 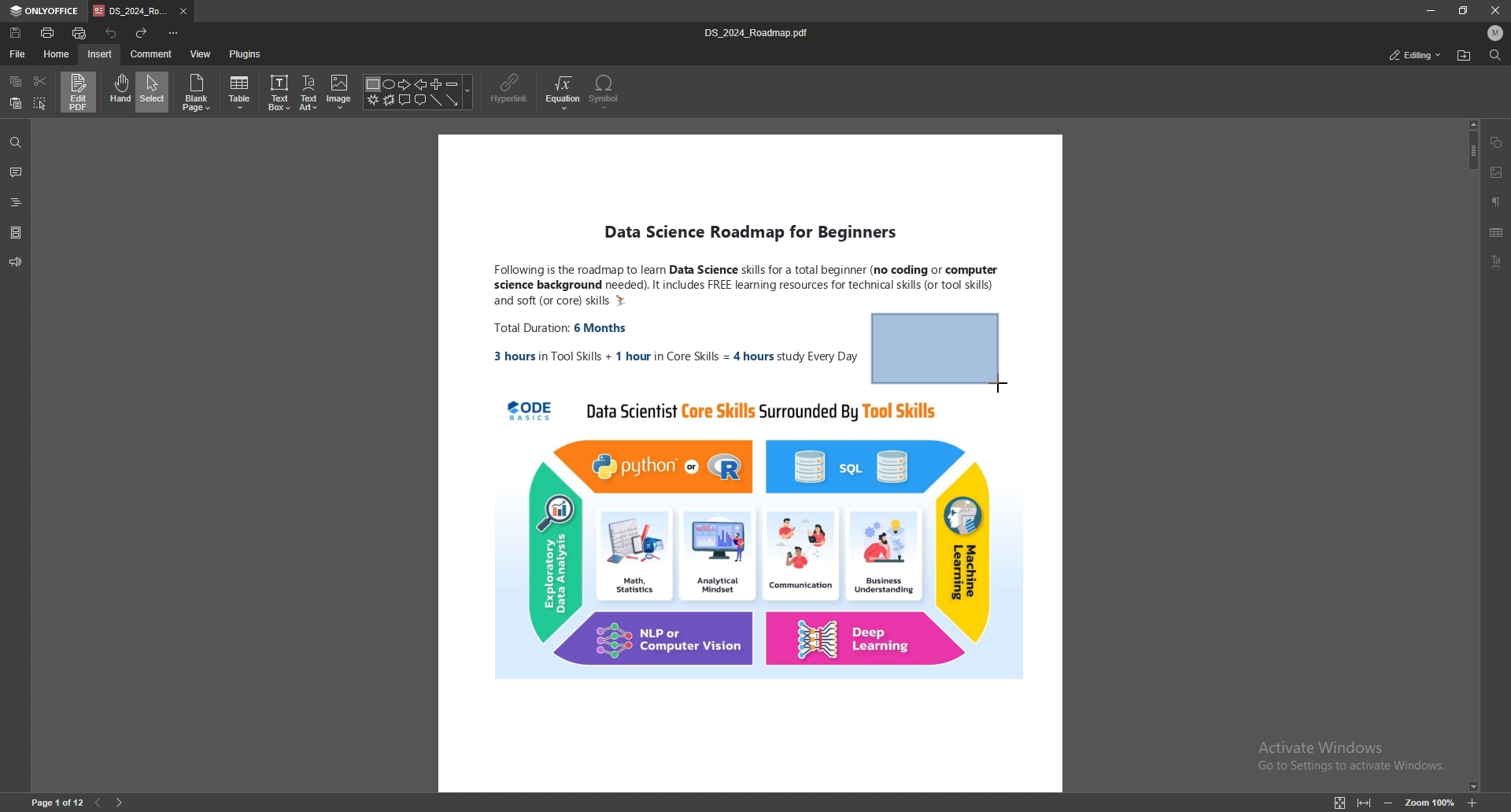 What do you see at coordinates (17, 33) in the screenshot?
I see `save` at bounding box center [17, 33].